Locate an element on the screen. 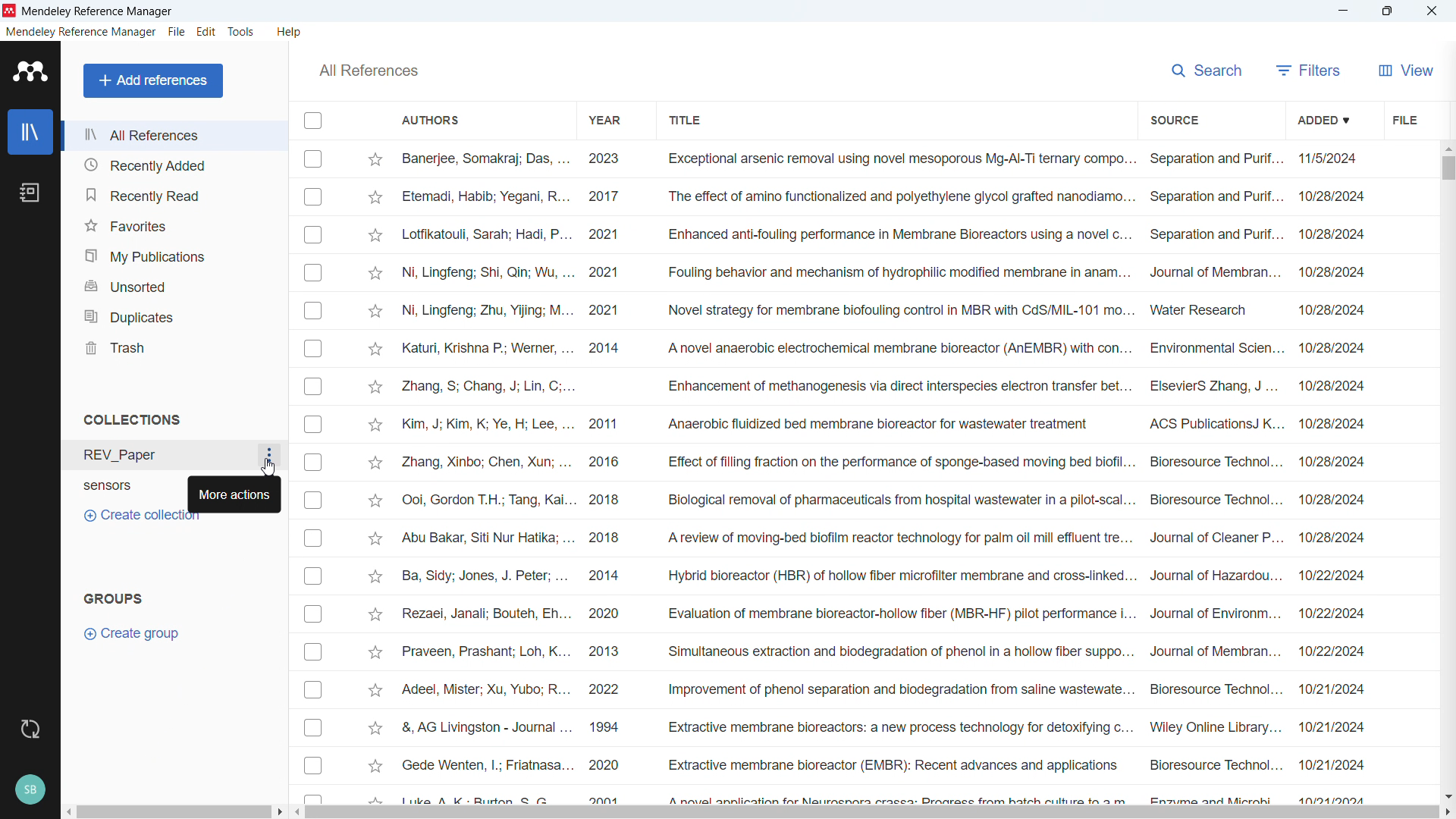 The width and height of the screenshot is (1456, 819). All references is located at coordinates (368, 71).